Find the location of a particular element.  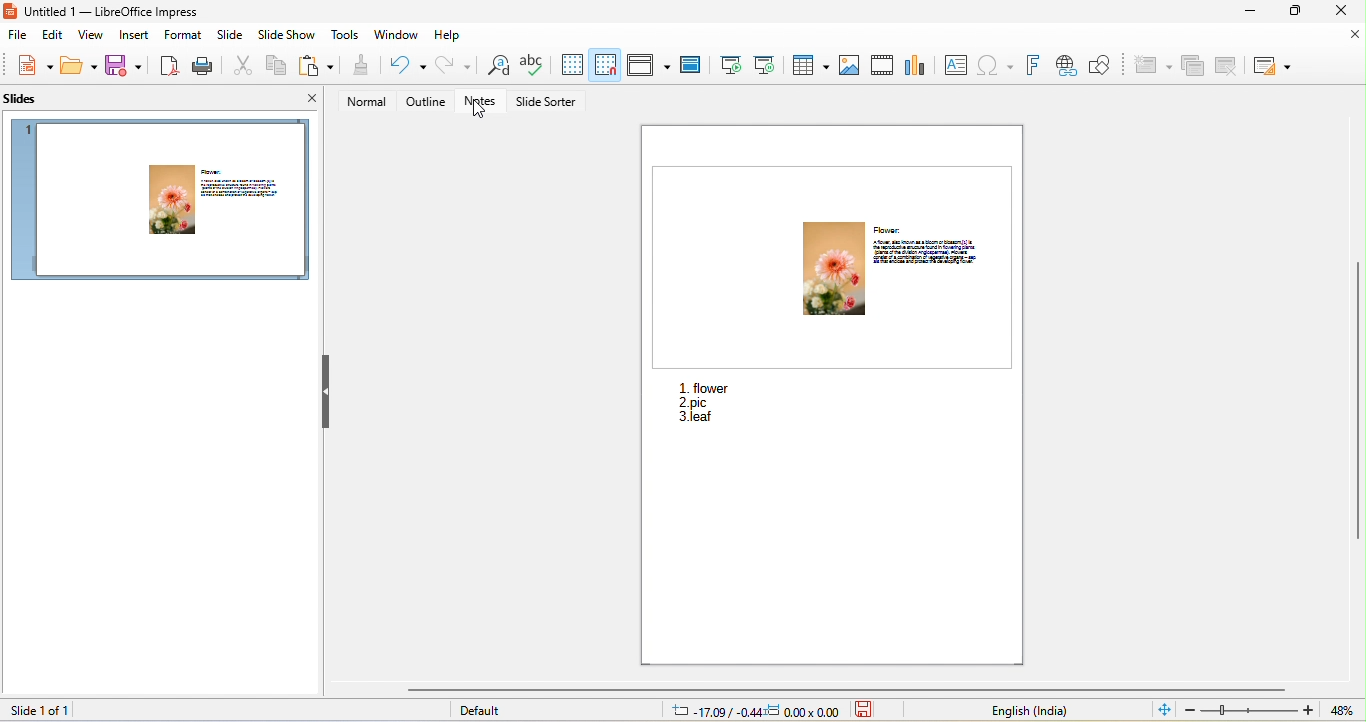

redo is located at coordinates (456, 64).